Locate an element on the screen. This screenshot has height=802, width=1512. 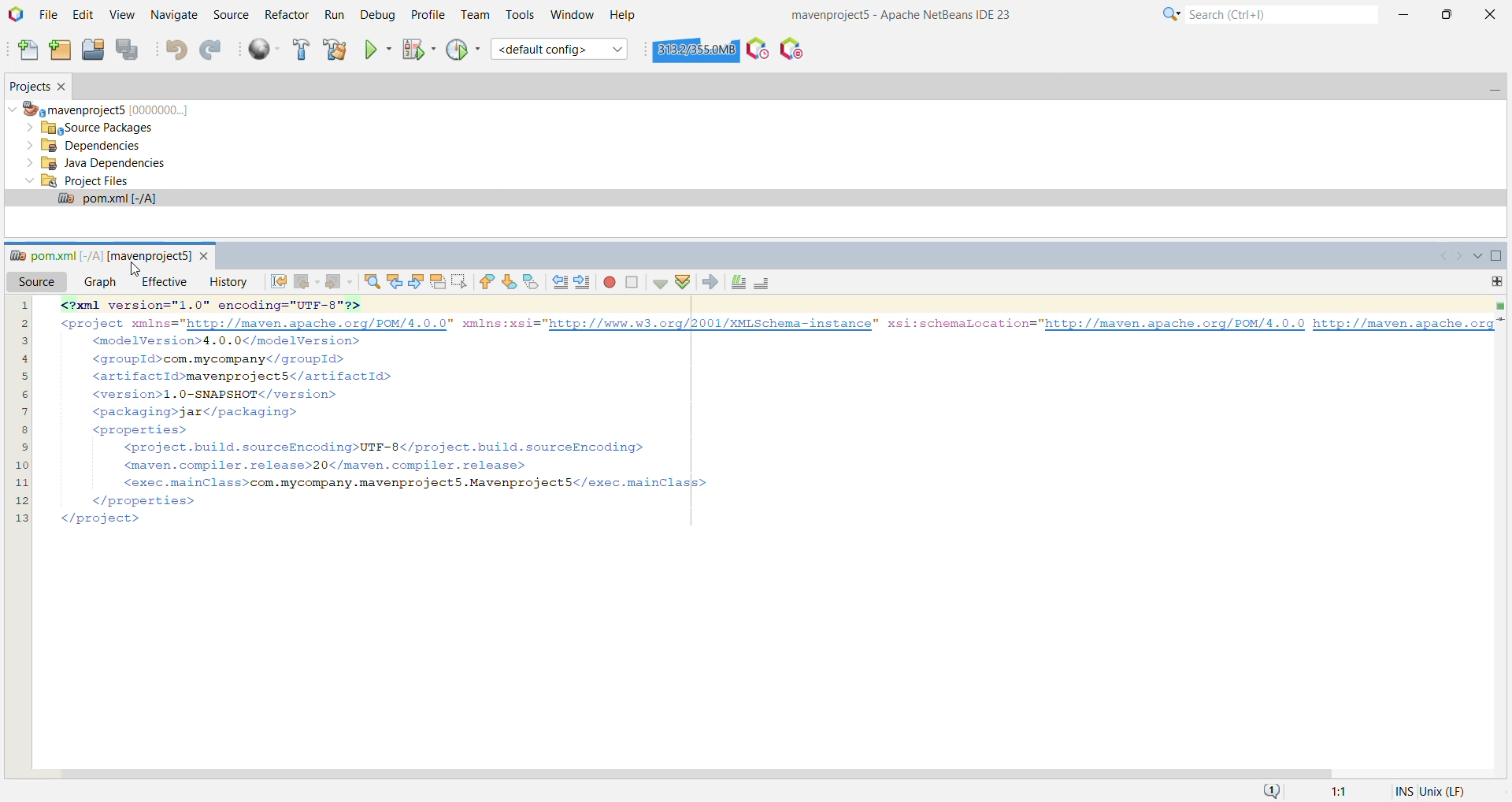
Shift Line Left is located at coordinates (559, 283).